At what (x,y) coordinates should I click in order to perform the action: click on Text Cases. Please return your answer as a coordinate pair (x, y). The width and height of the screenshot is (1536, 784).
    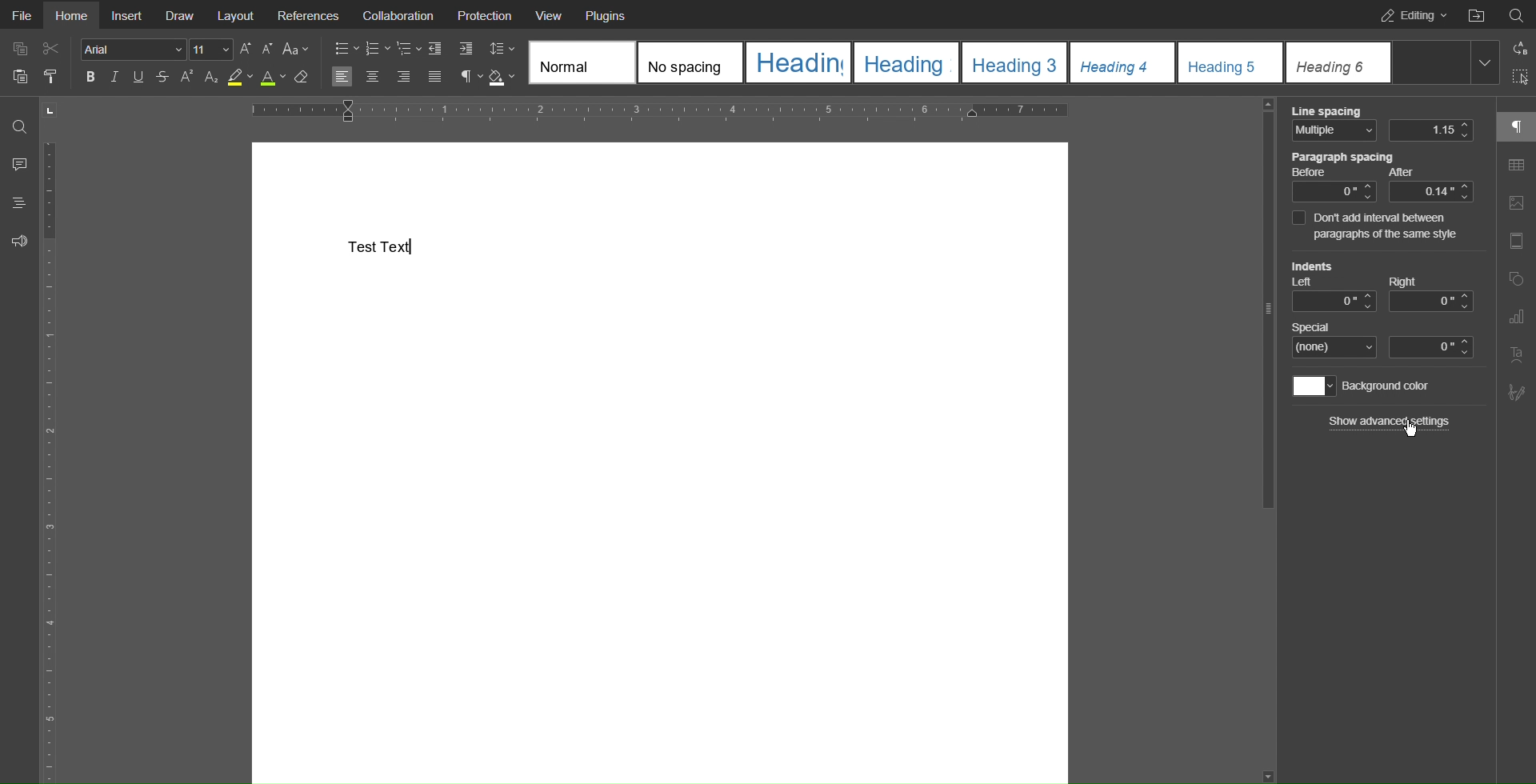
    Looking at the image, I should click on (294, 49).